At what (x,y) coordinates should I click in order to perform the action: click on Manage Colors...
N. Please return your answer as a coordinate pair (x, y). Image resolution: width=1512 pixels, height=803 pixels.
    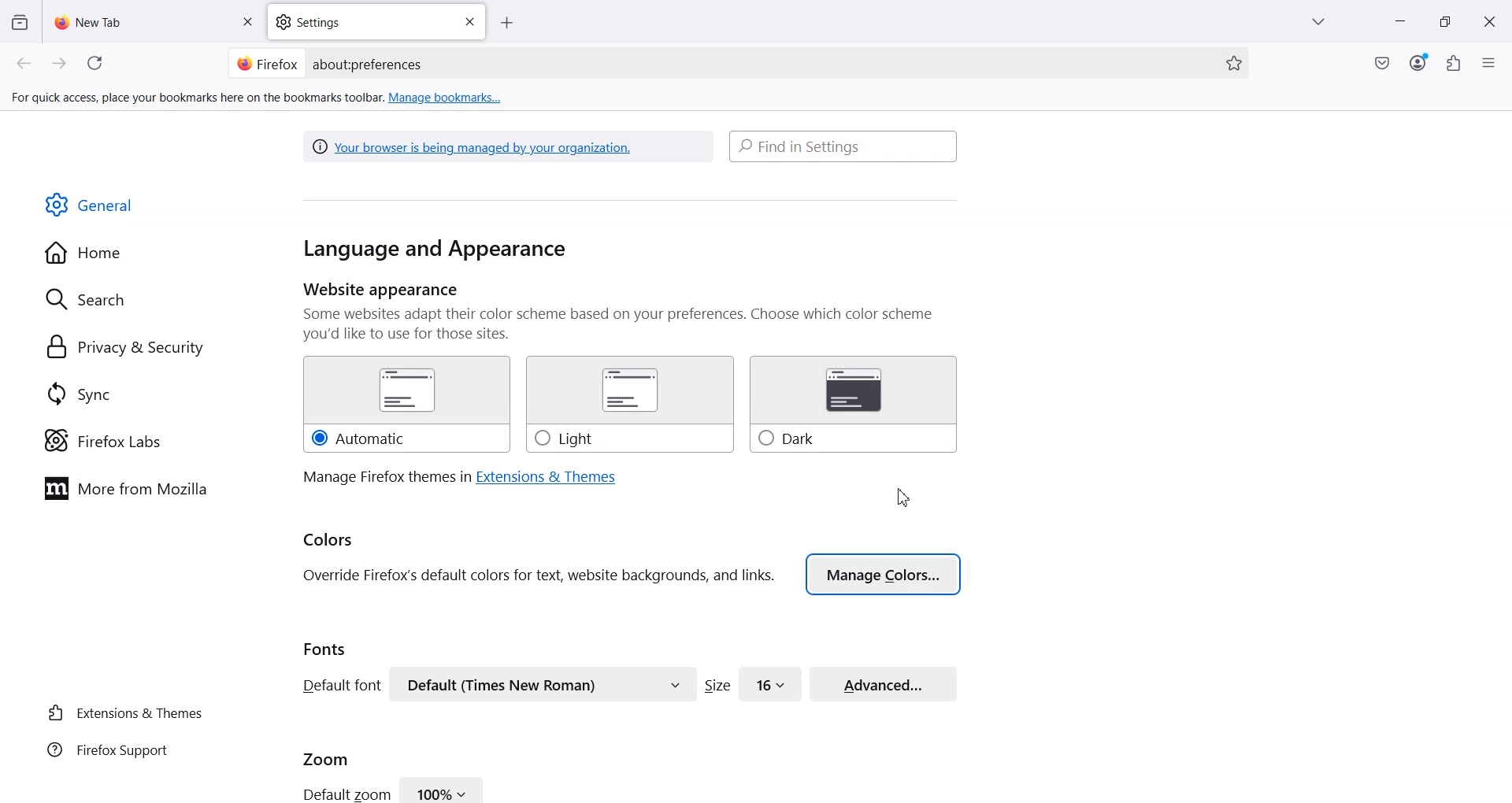
    Looking at the image, I should click on (884, 574).